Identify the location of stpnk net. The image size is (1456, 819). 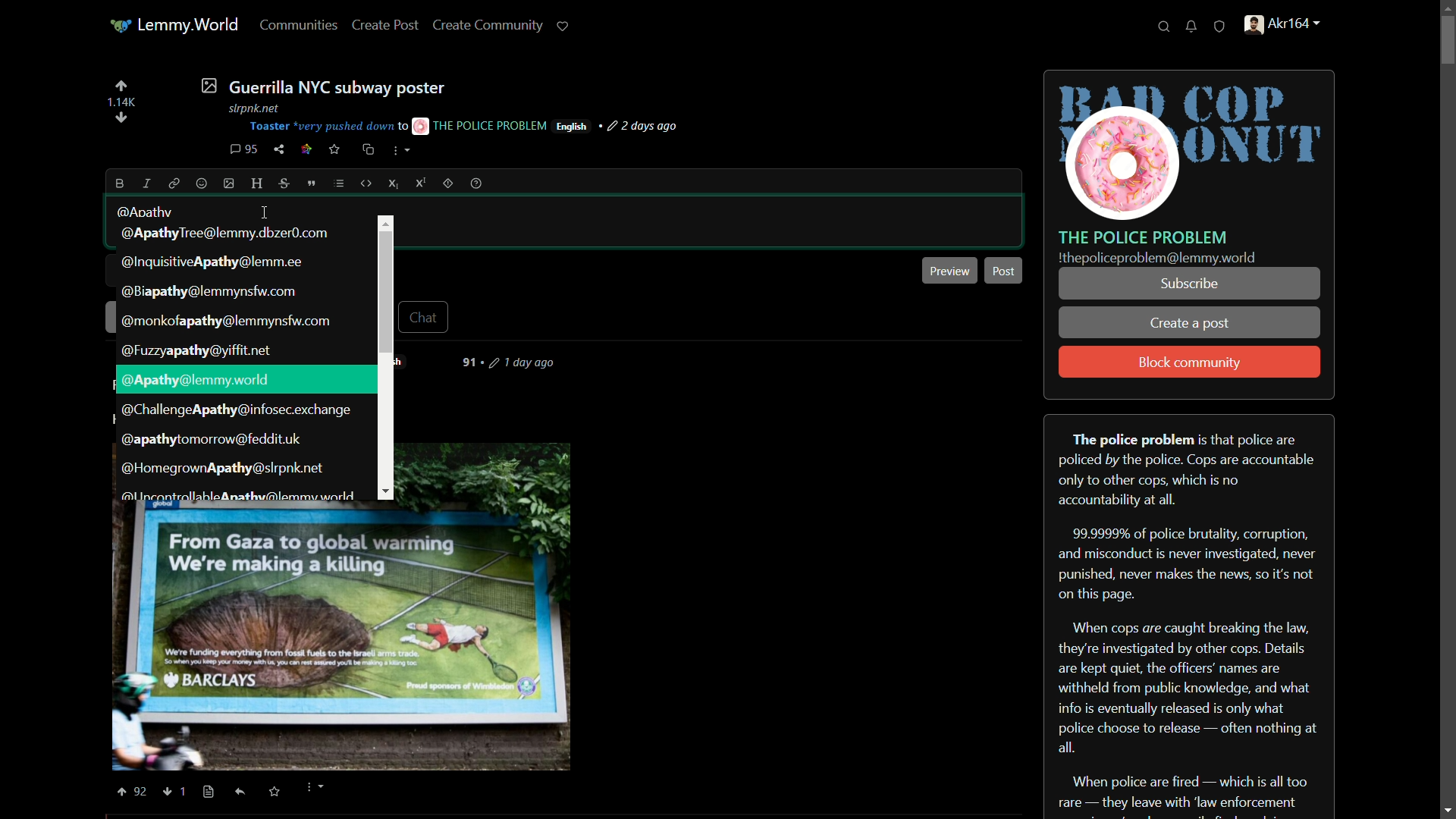
(250, 106).